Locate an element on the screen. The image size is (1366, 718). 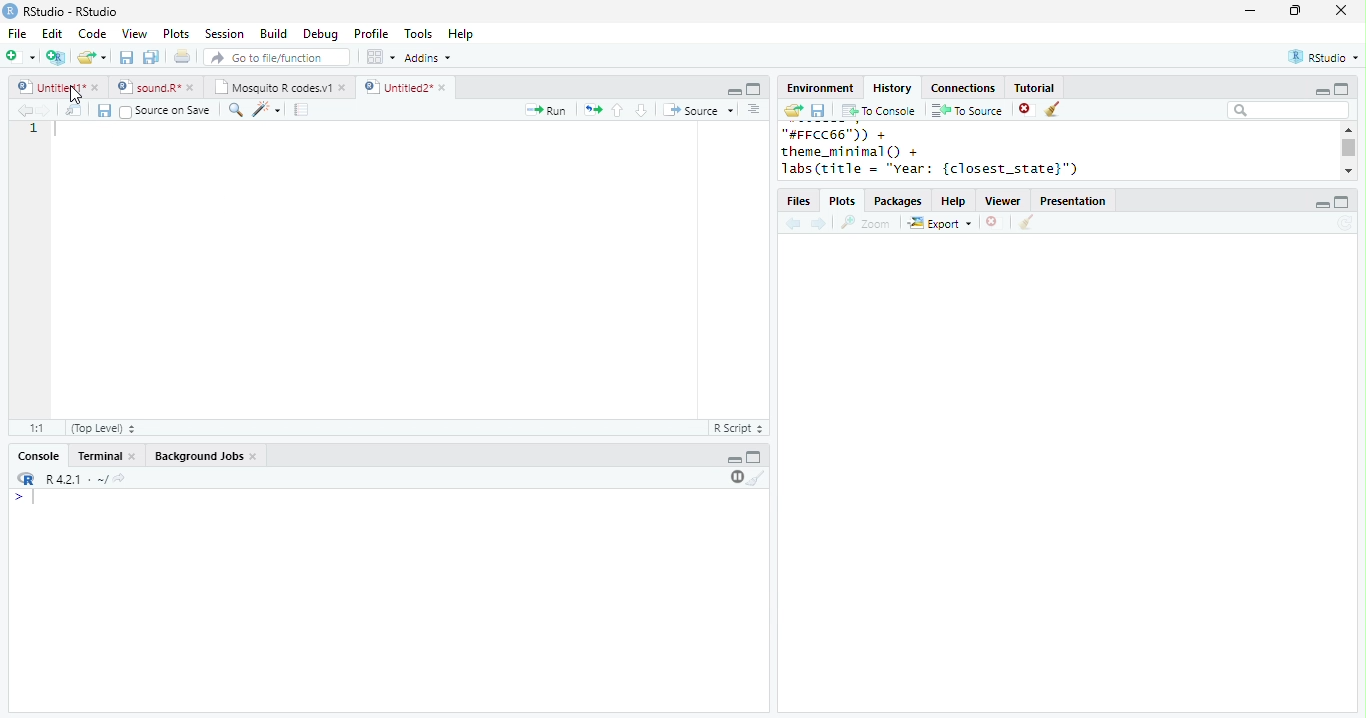
minimize is located at coordinates (1321, 92).